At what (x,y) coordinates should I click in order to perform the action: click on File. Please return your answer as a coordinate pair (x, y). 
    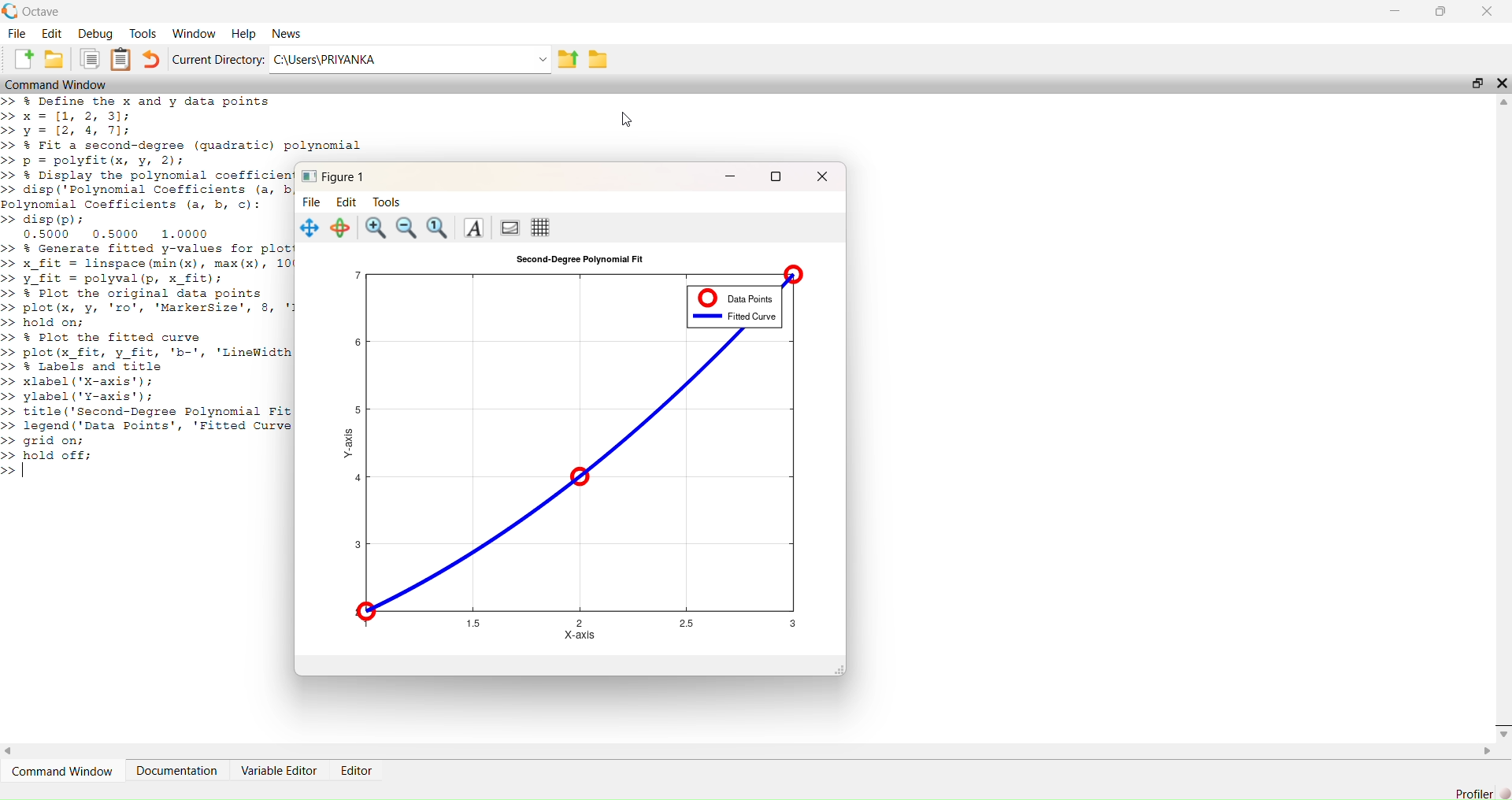
    Looking at the image, I should click on (312, 201).